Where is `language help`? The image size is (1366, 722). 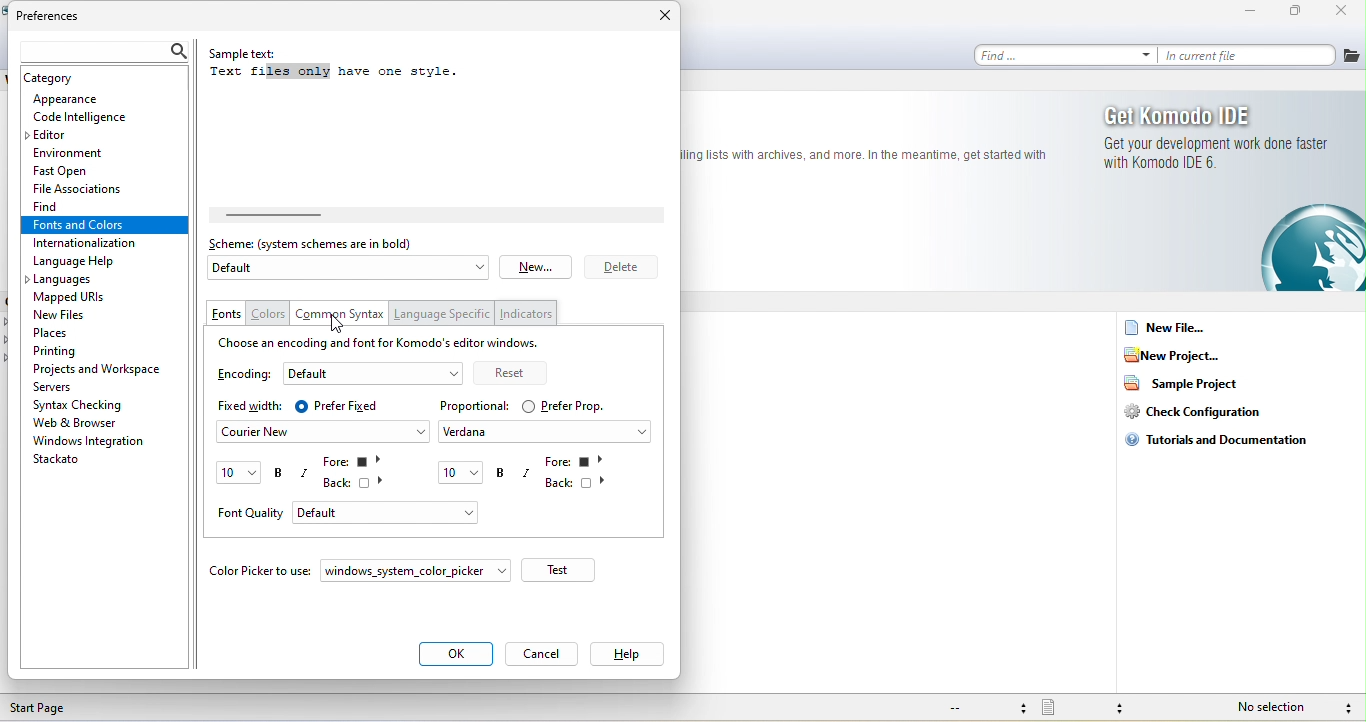 language help is located at coordinates (87, 260).